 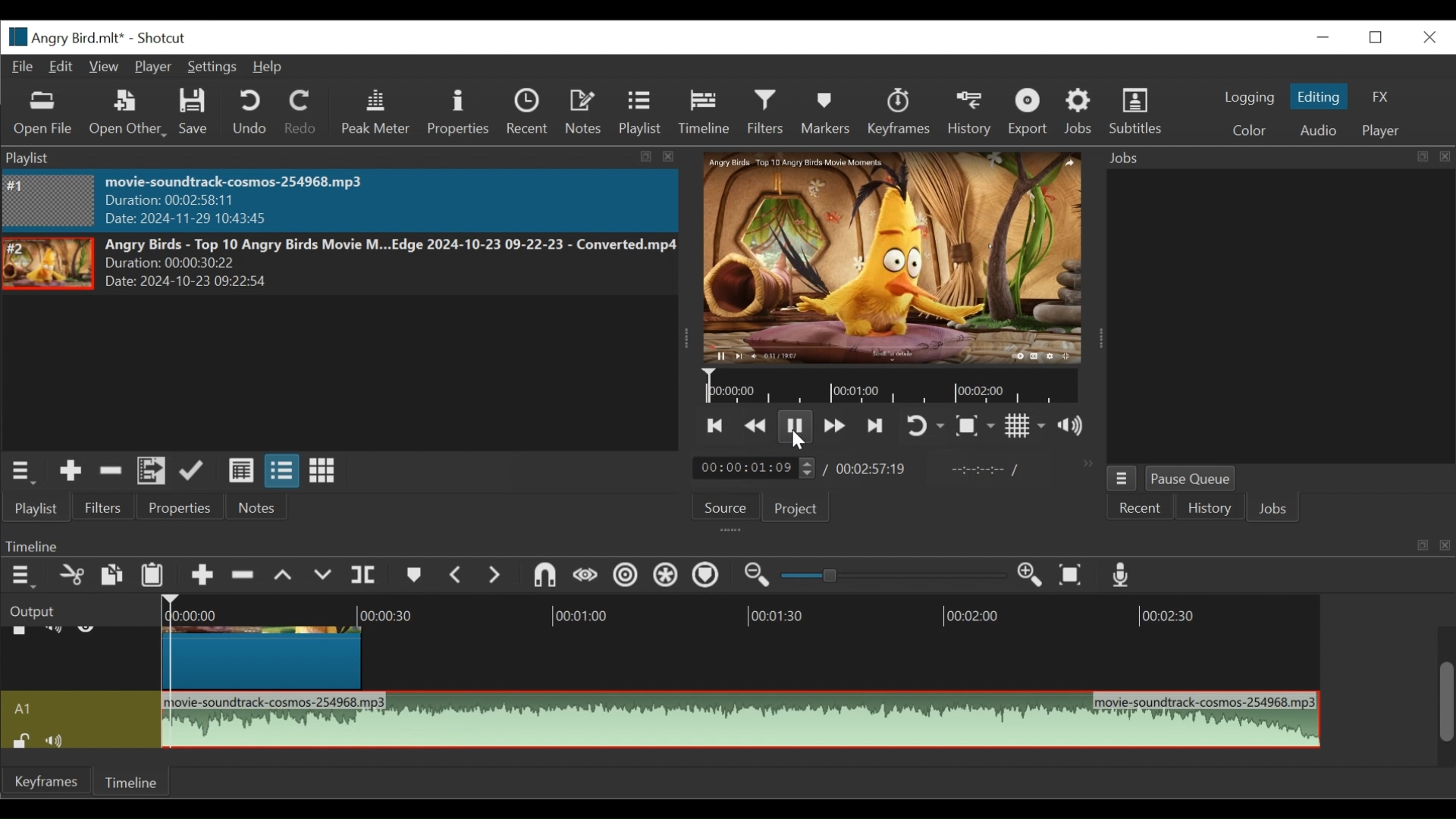 I want to click on History, so click(x=1209, y=508).